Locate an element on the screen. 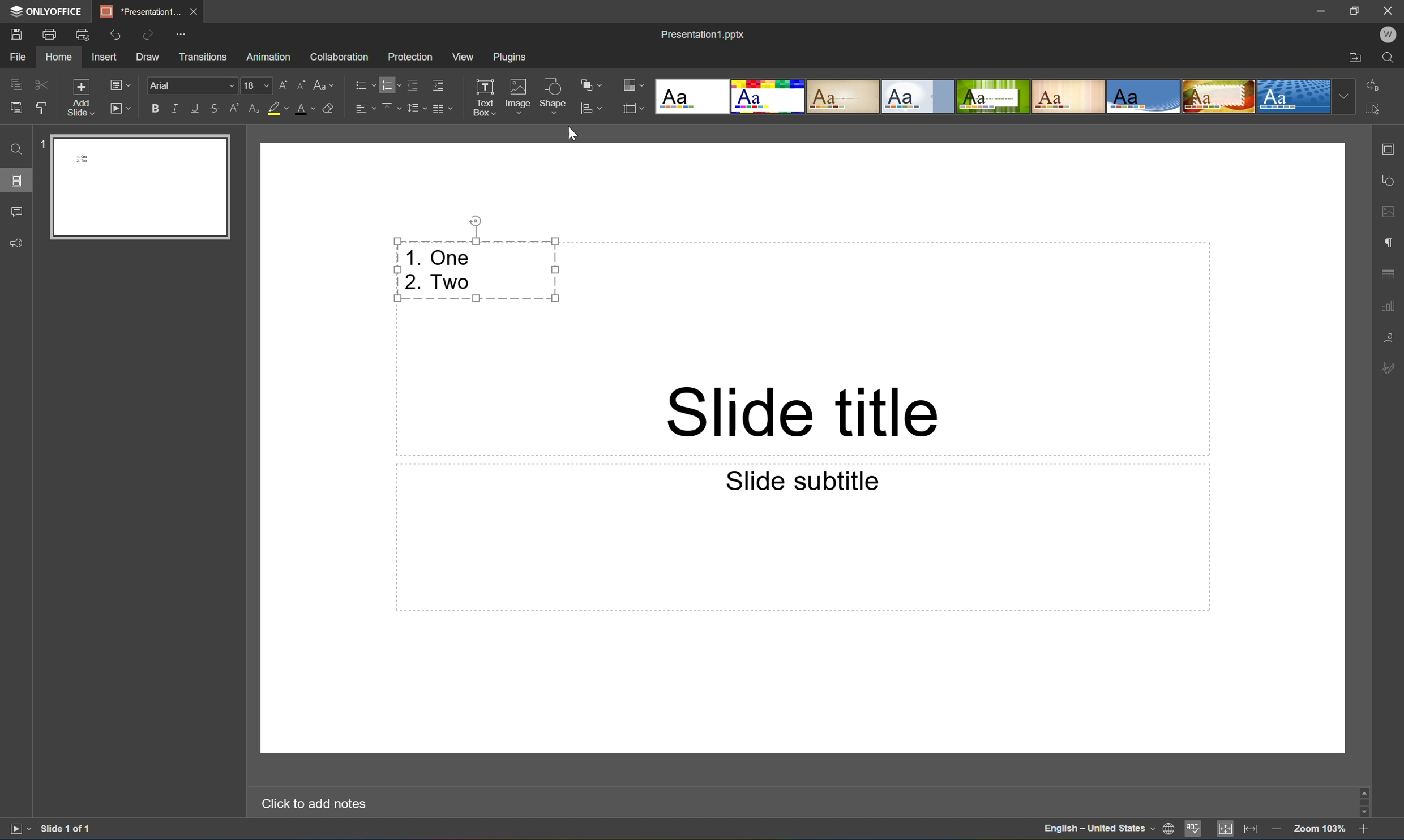  Decrease indent is located at coordinates (414, 86).